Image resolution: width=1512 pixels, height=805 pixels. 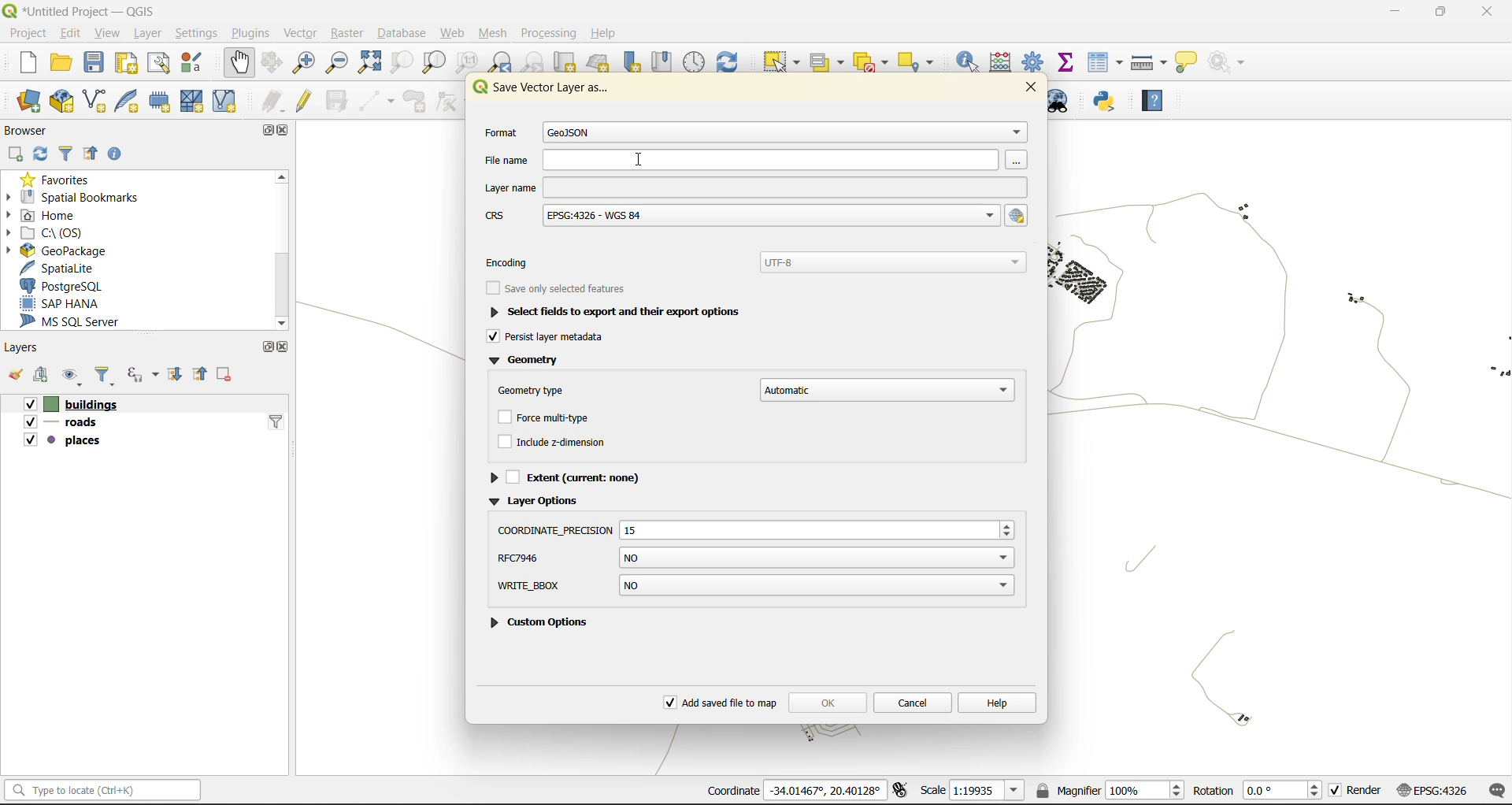 I want to click on filter by expression, so click(x=143, y=376).